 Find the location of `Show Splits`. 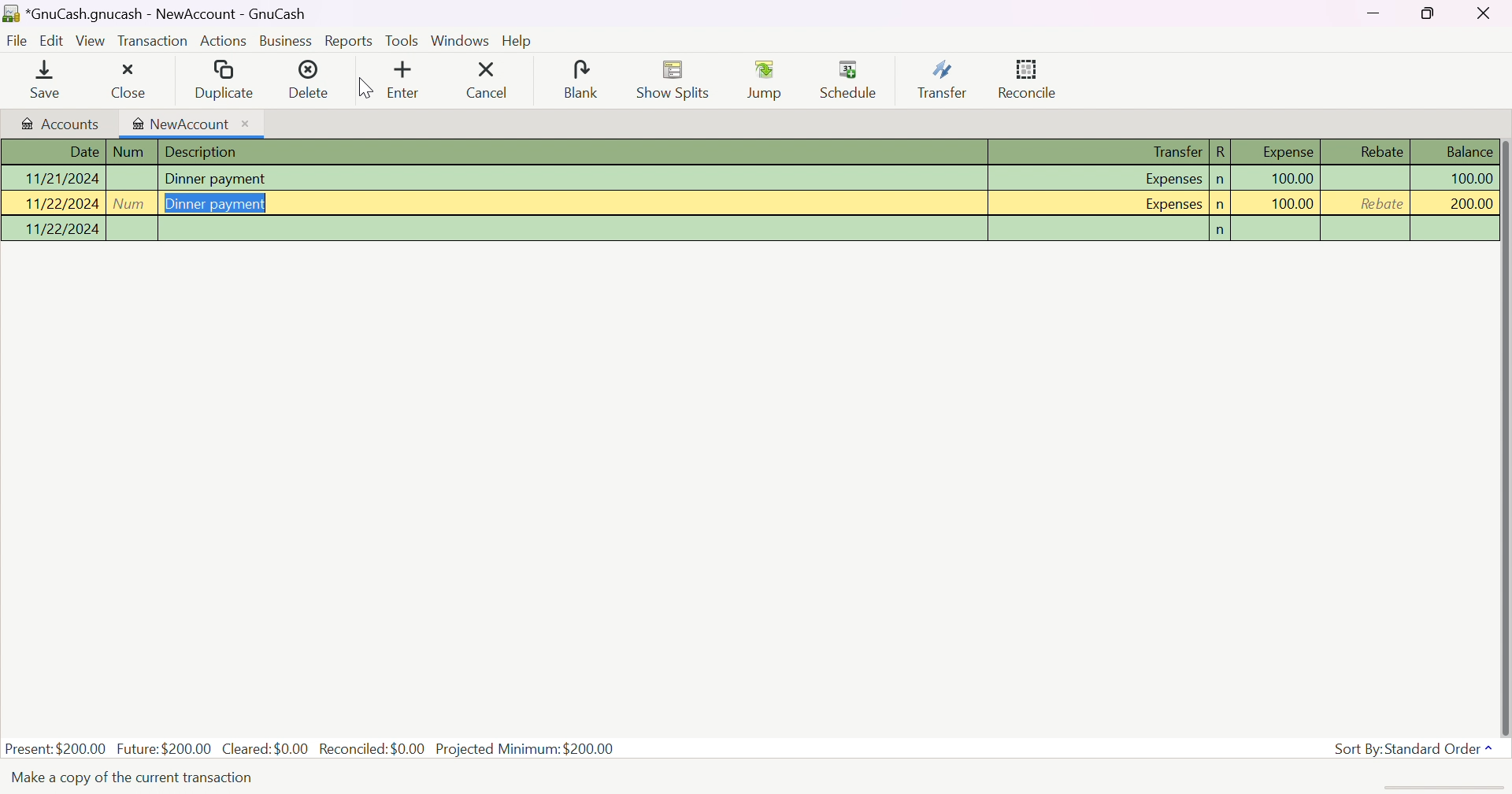

Show Splits is located at coordinates (670, 81).